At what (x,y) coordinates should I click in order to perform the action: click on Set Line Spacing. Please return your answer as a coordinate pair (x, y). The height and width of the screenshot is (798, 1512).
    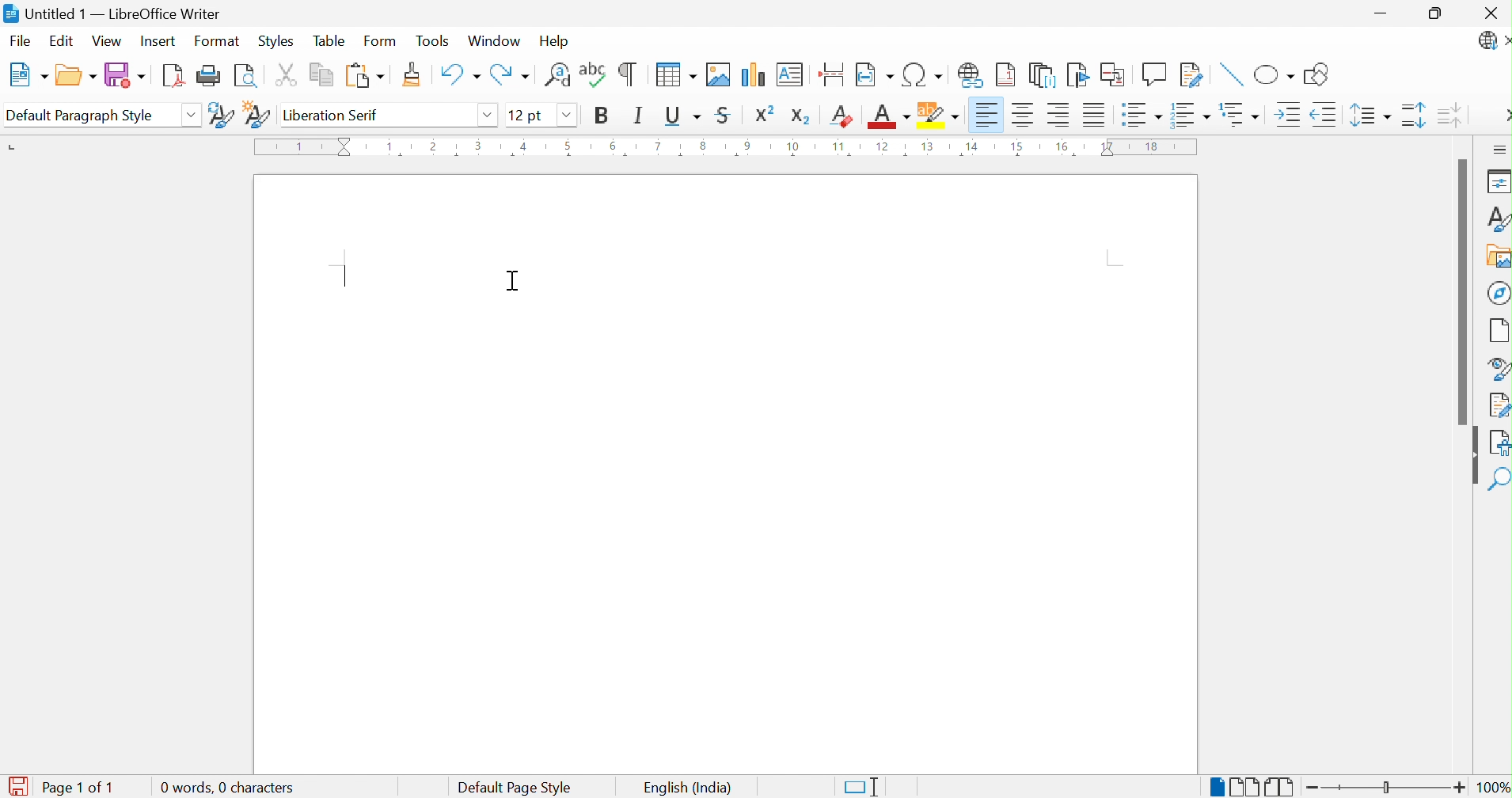
    Looking at the image, I should click on (1370, 117).